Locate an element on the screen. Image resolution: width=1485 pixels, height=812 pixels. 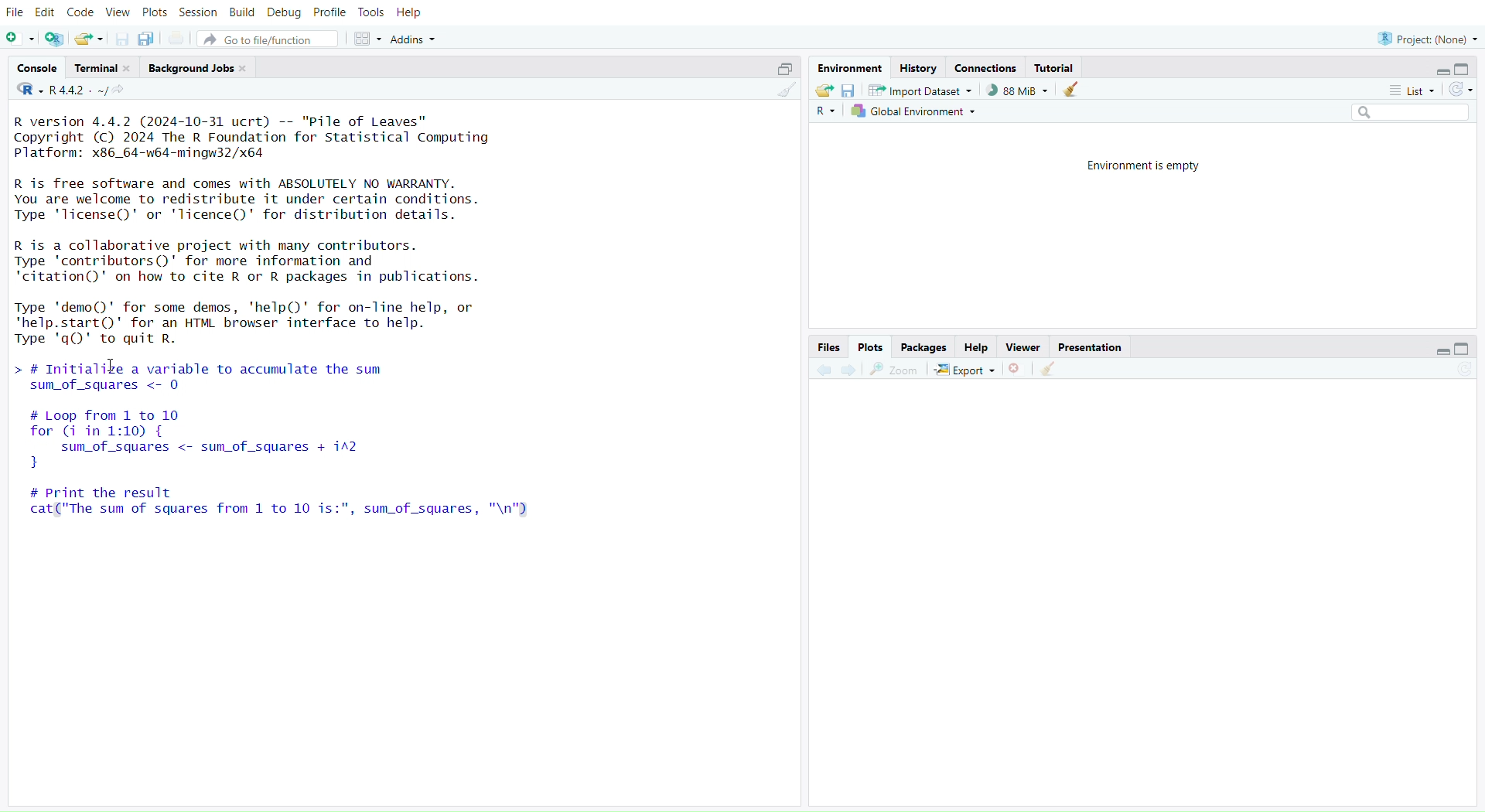
help is located at coordinates (976, 347).